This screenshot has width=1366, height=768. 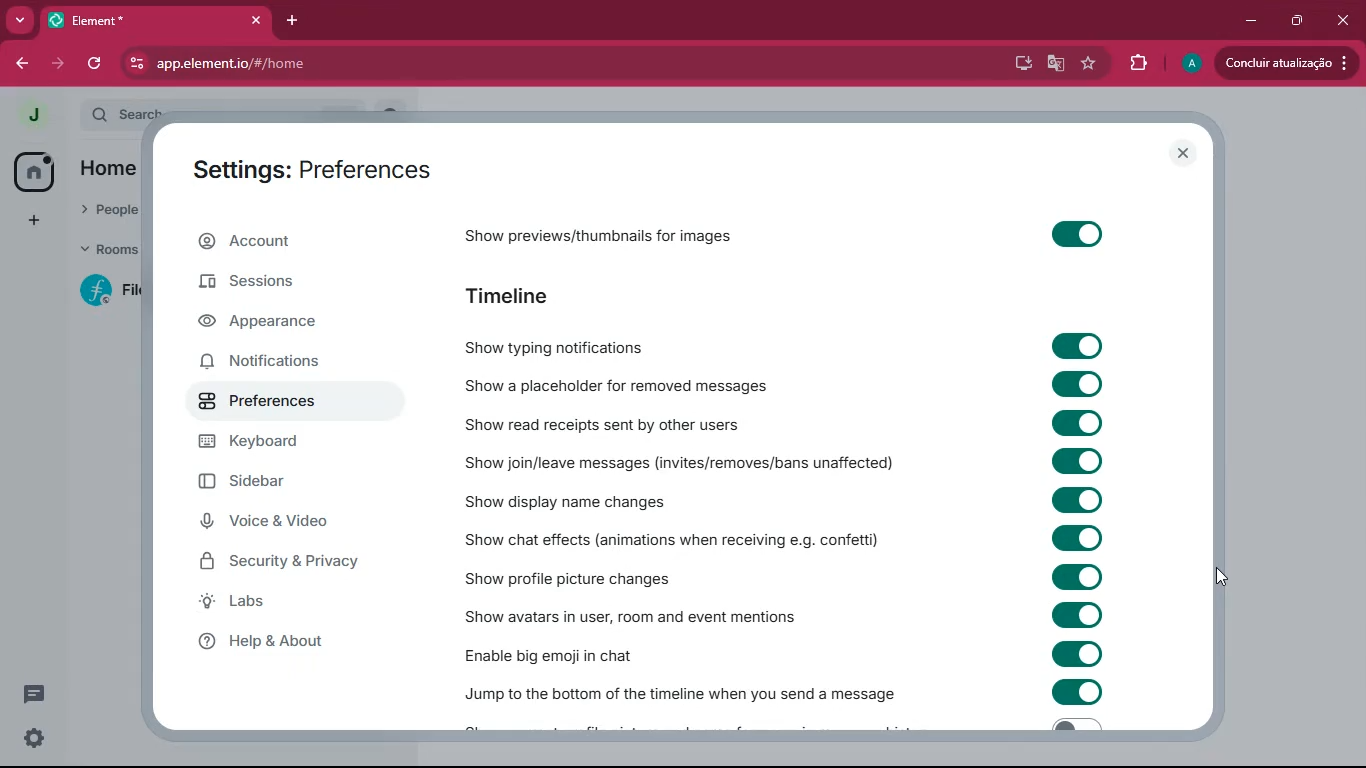 I want to click on show read receipts sent by other users, so click(x=672, y=421).